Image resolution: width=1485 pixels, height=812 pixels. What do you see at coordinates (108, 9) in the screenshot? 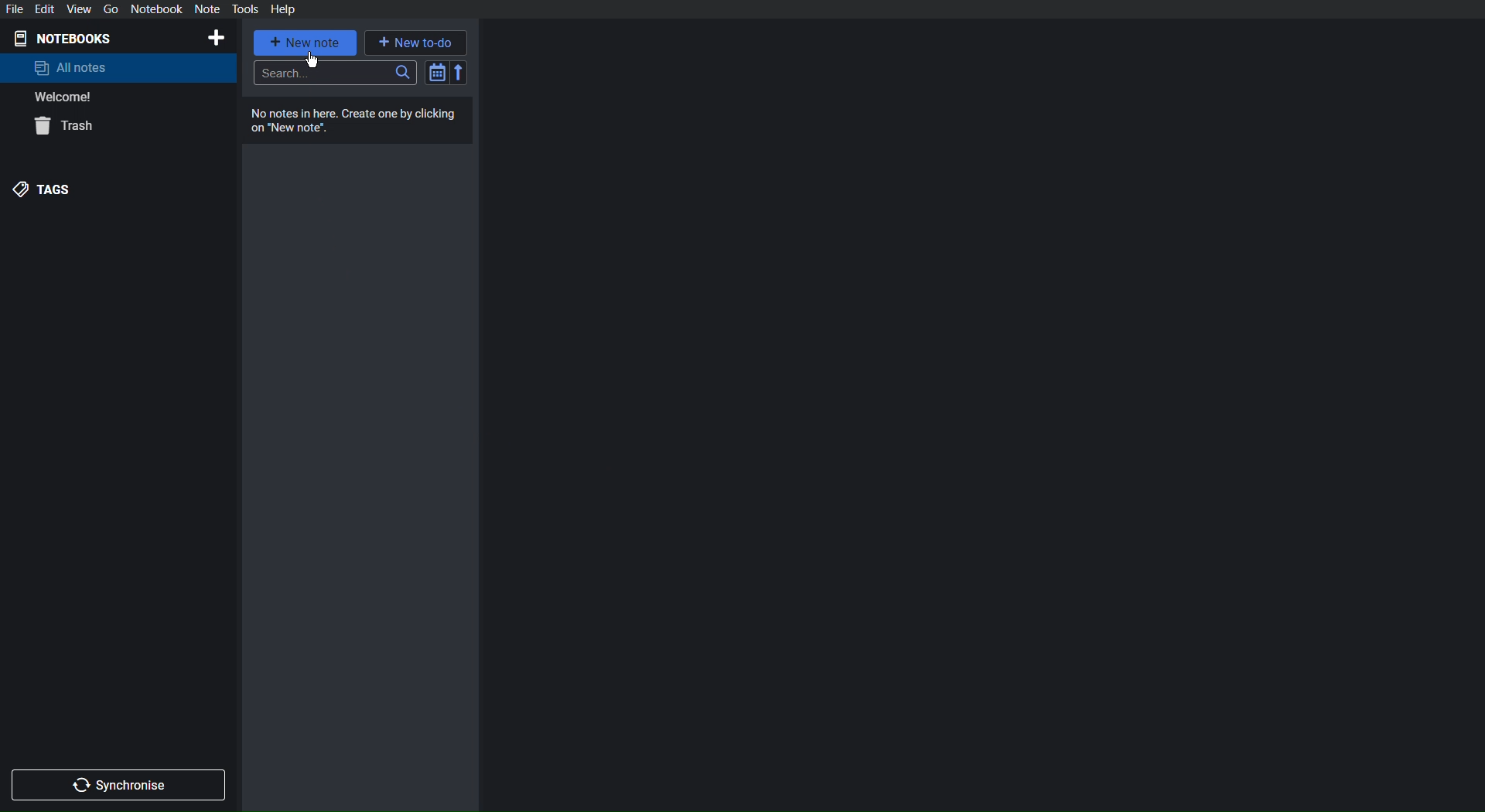
I see `Go` at bounding box center [108, 9].